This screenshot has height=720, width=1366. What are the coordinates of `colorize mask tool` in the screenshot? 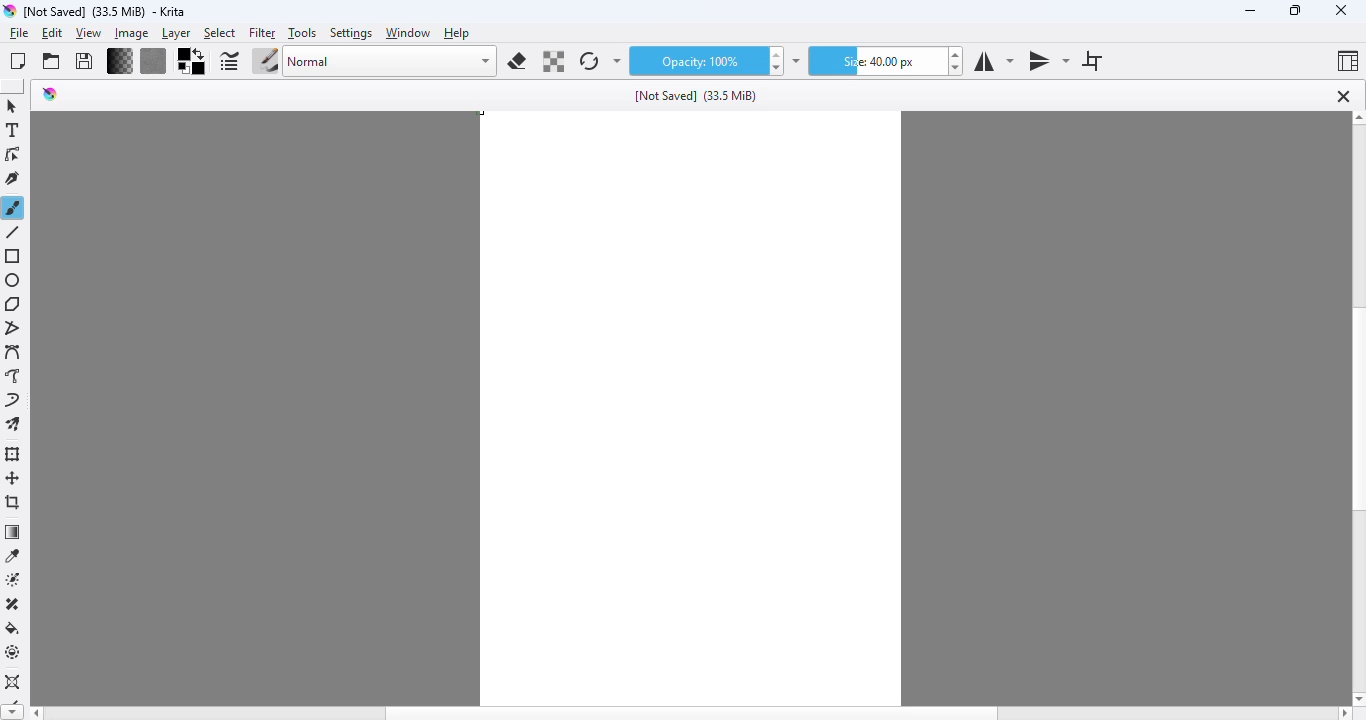 It's located at (14, 581).